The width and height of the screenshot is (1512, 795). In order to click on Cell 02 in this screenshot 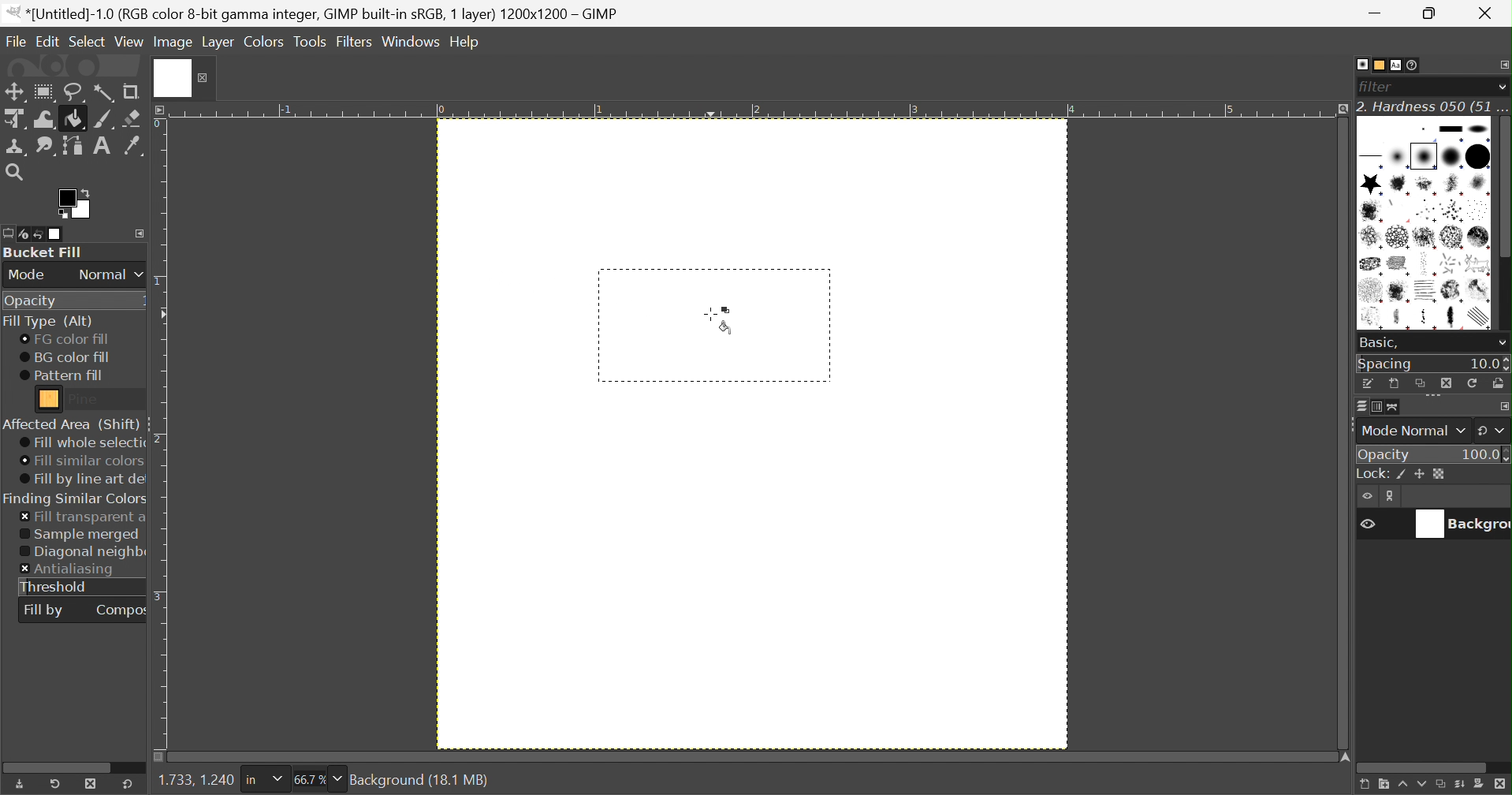, I will do `click(1398, 238)`.